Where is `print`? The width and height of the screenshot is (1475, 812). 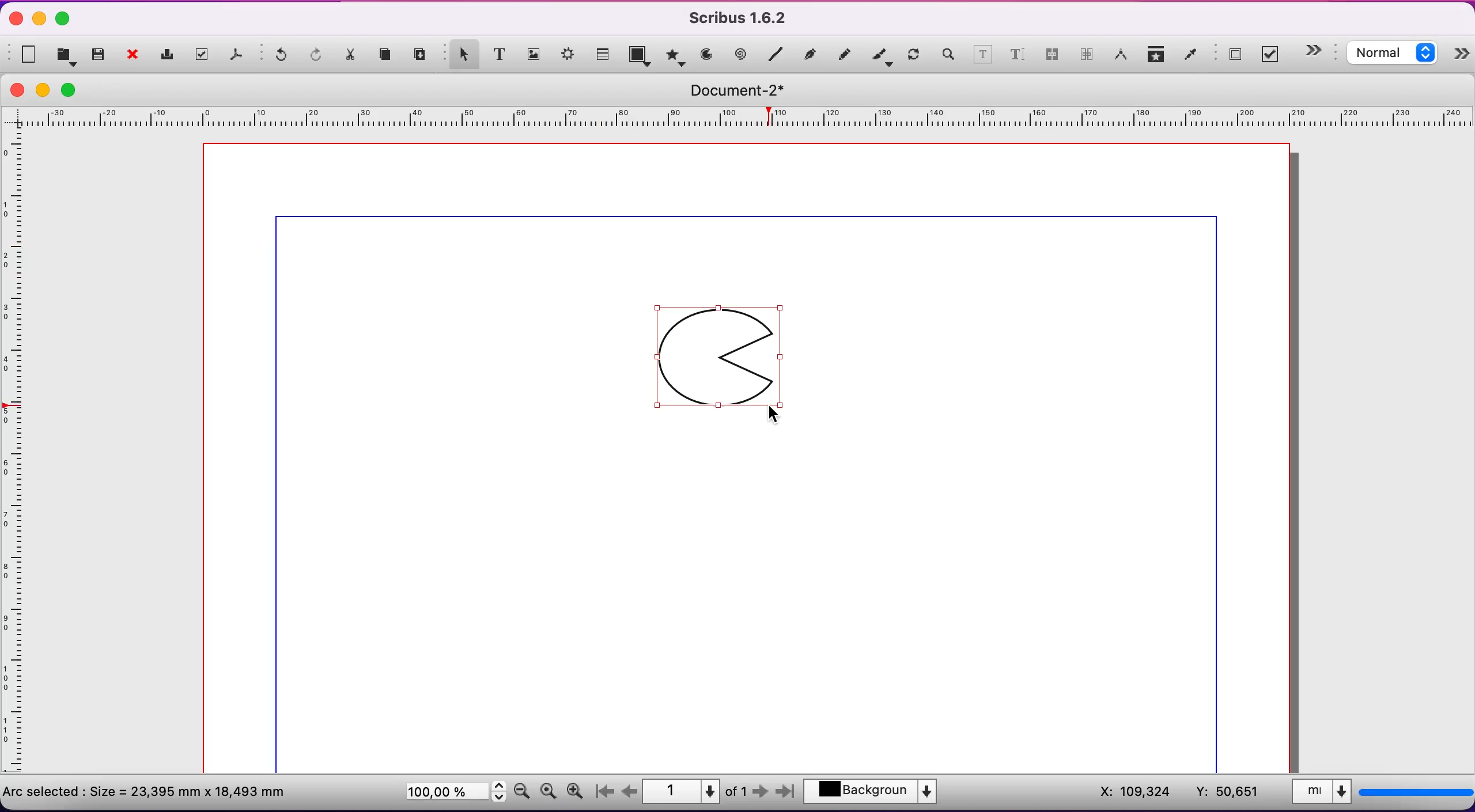
print is located at coordinates (170, 55).